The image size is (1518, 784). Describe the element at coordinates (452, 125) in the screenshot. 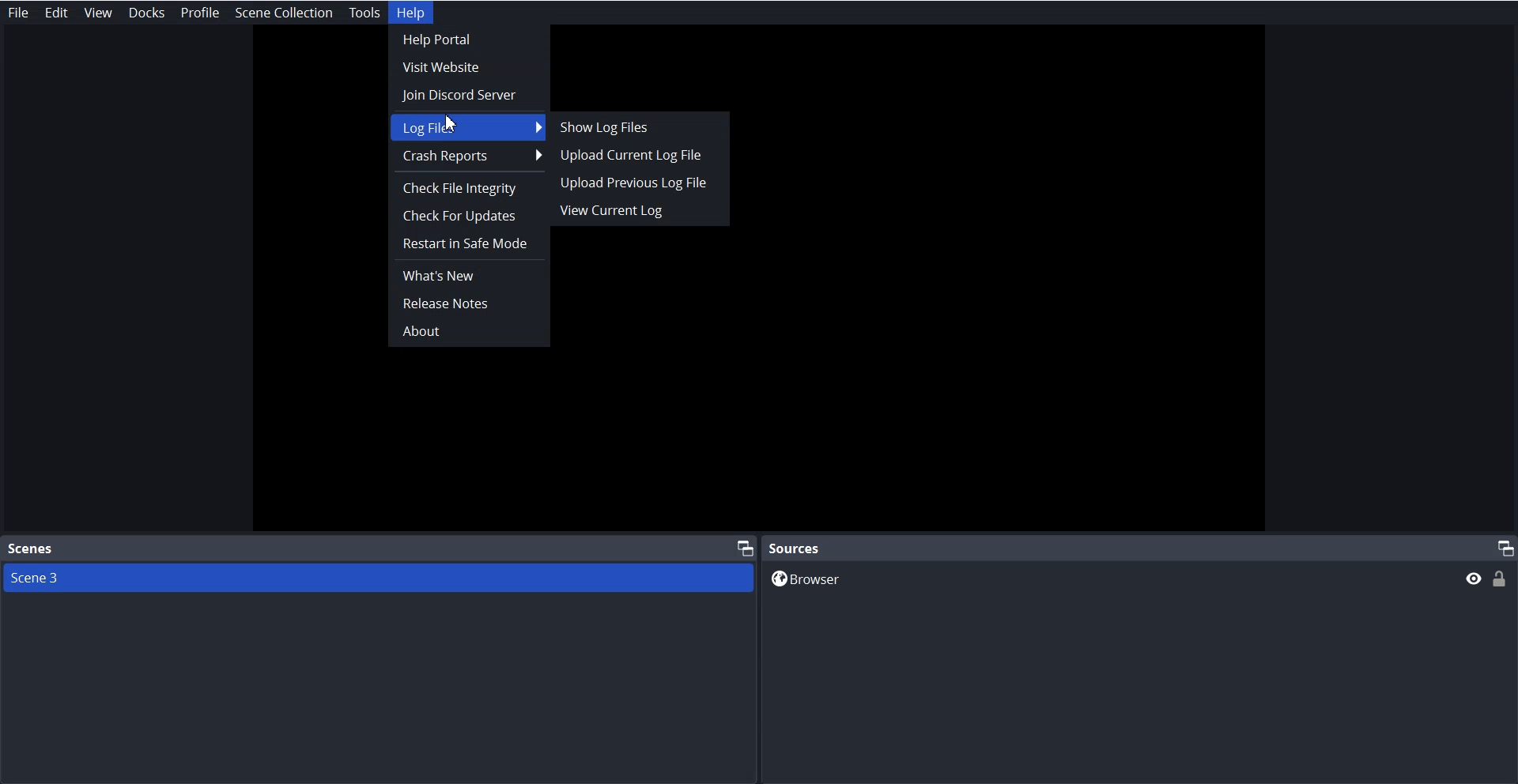

I see `cursor` at that location.